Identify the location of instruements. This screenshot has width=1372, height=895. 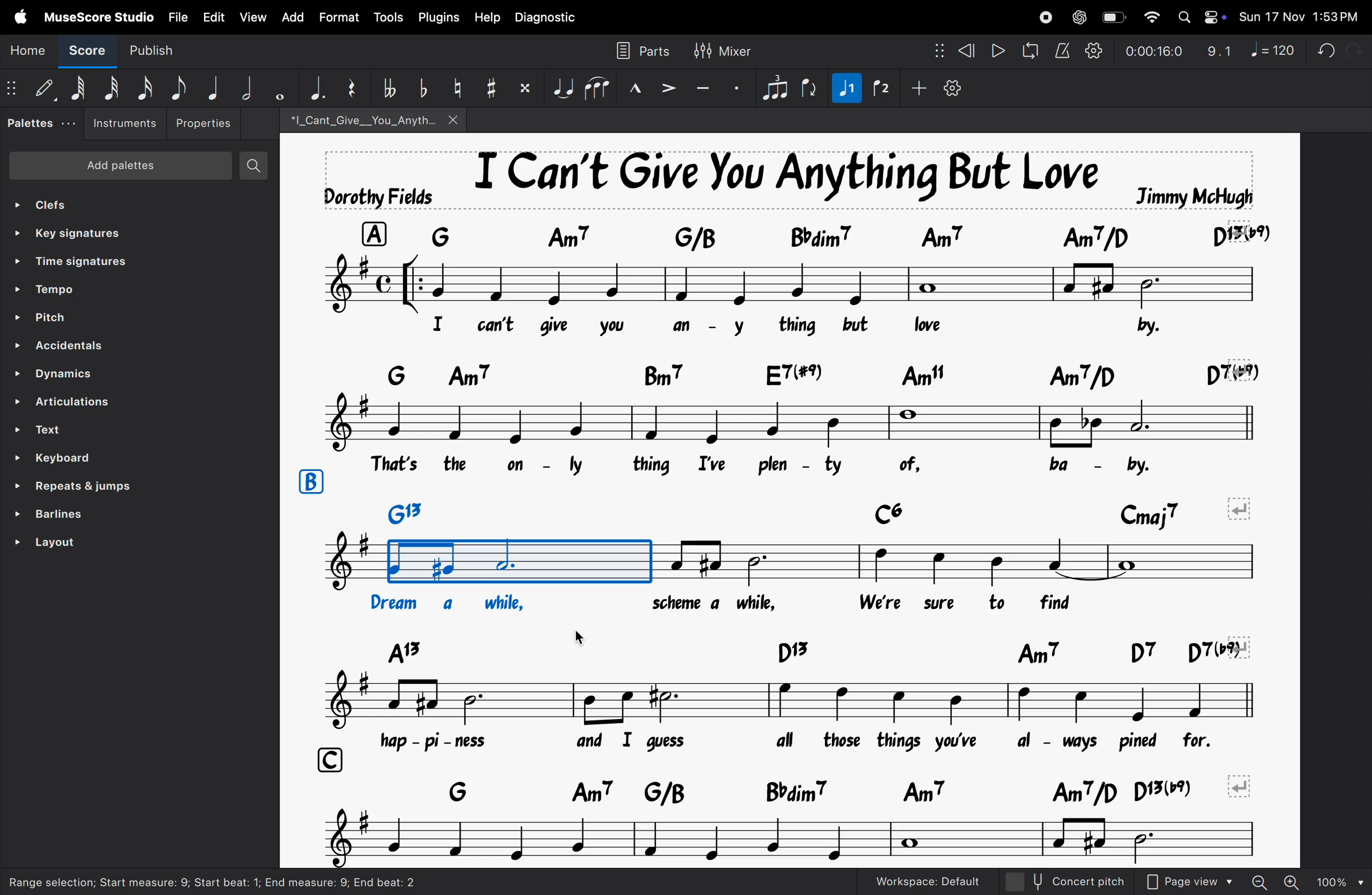
(128, 123).